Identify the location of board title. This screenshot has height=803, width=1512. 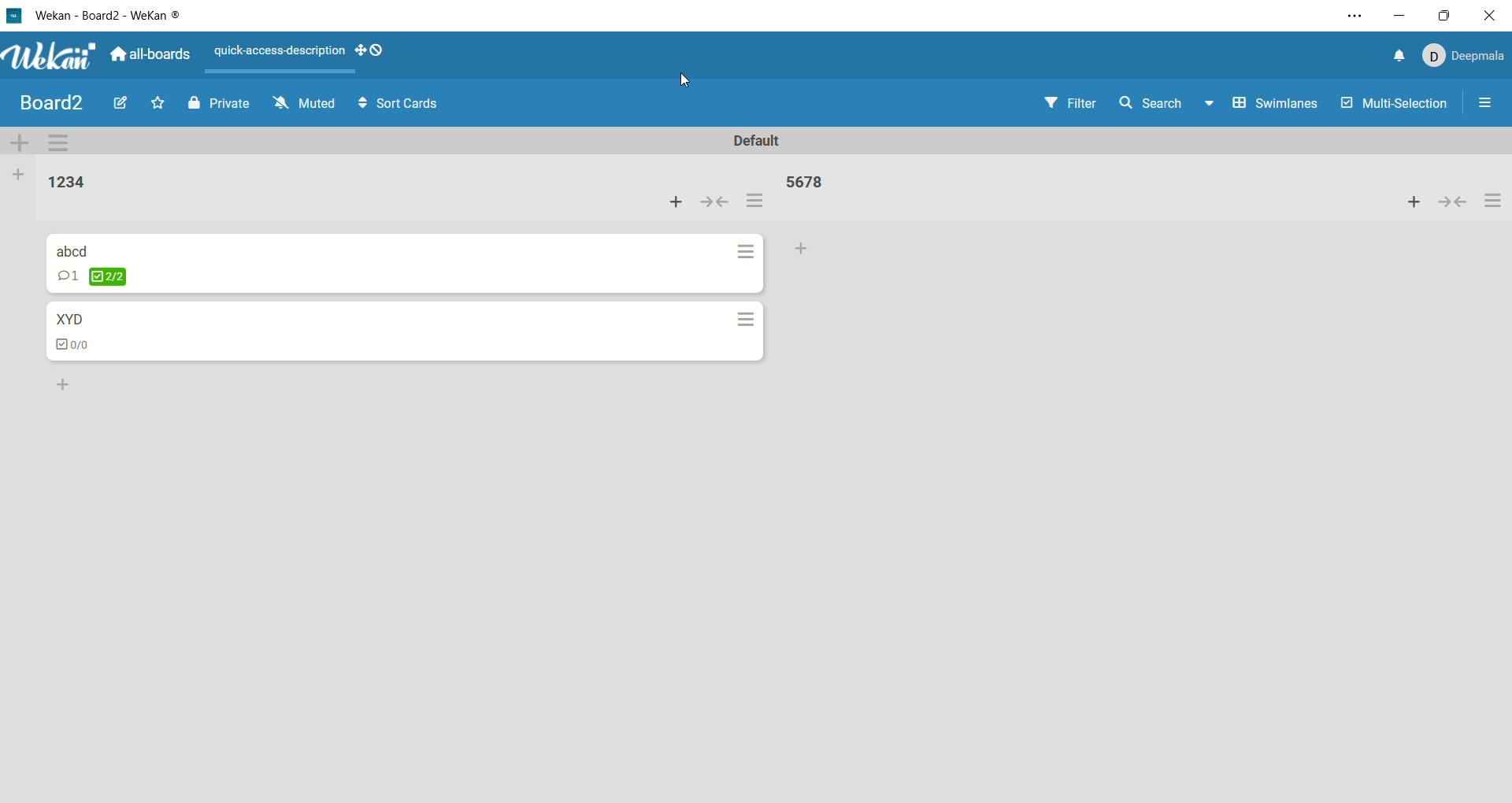
(45, 102).